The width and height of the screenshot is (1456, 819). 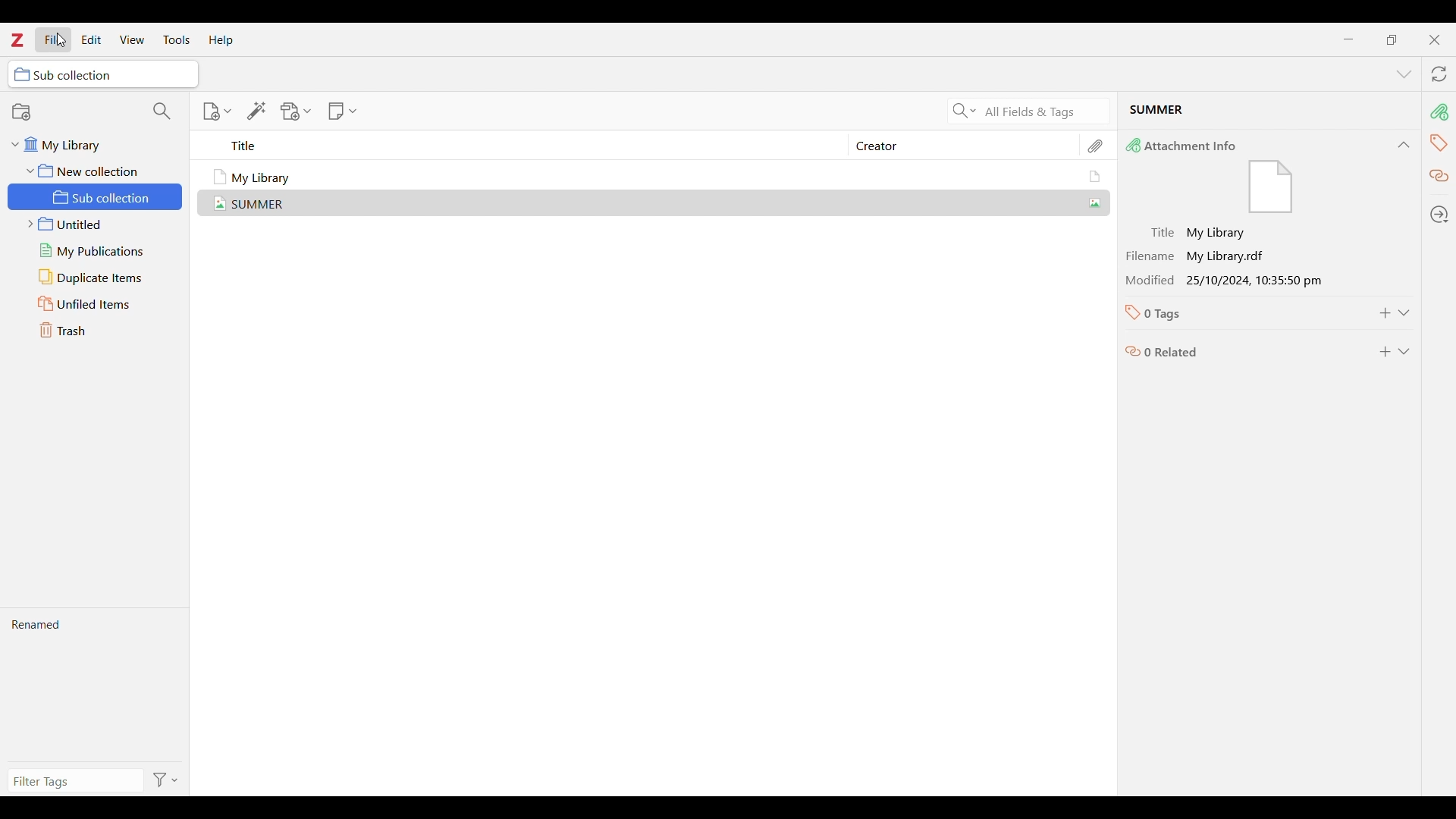 I want to click on Title: My Library, so click(x=1241, y=234).